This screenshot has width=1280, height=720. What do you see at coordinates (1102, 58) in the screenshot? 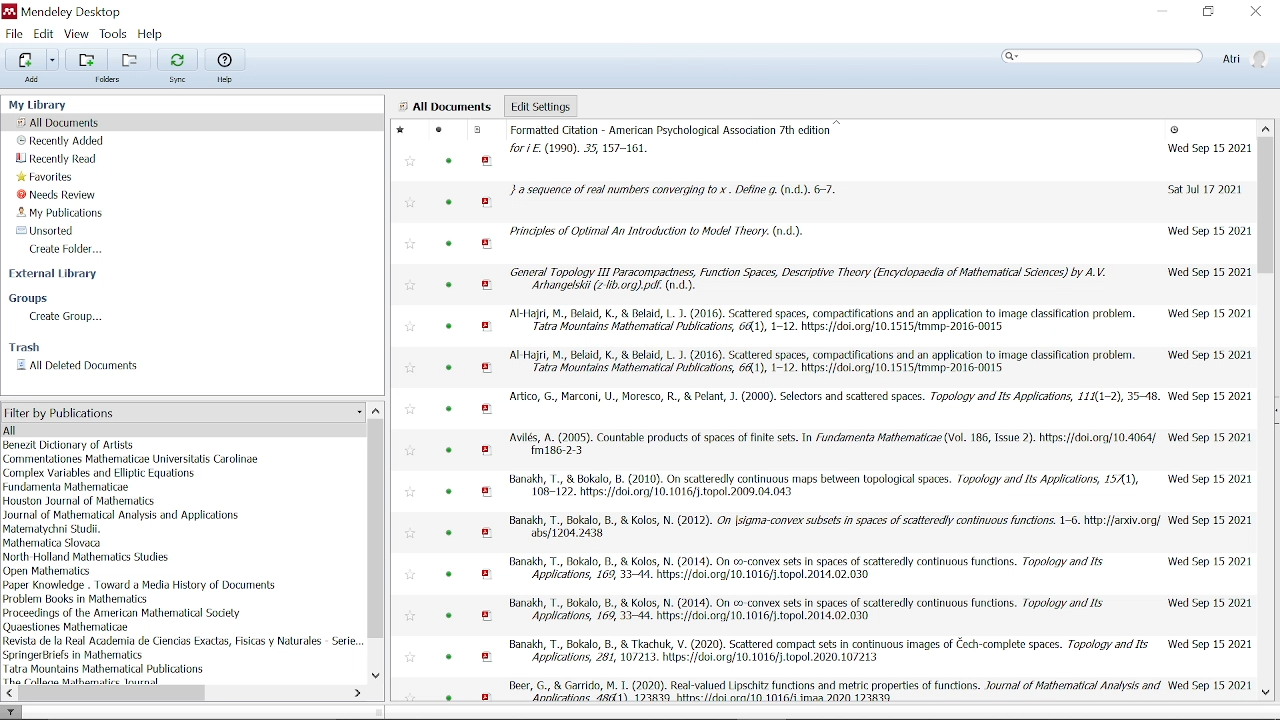
I see `searching` at bounding box center [1102, 58].